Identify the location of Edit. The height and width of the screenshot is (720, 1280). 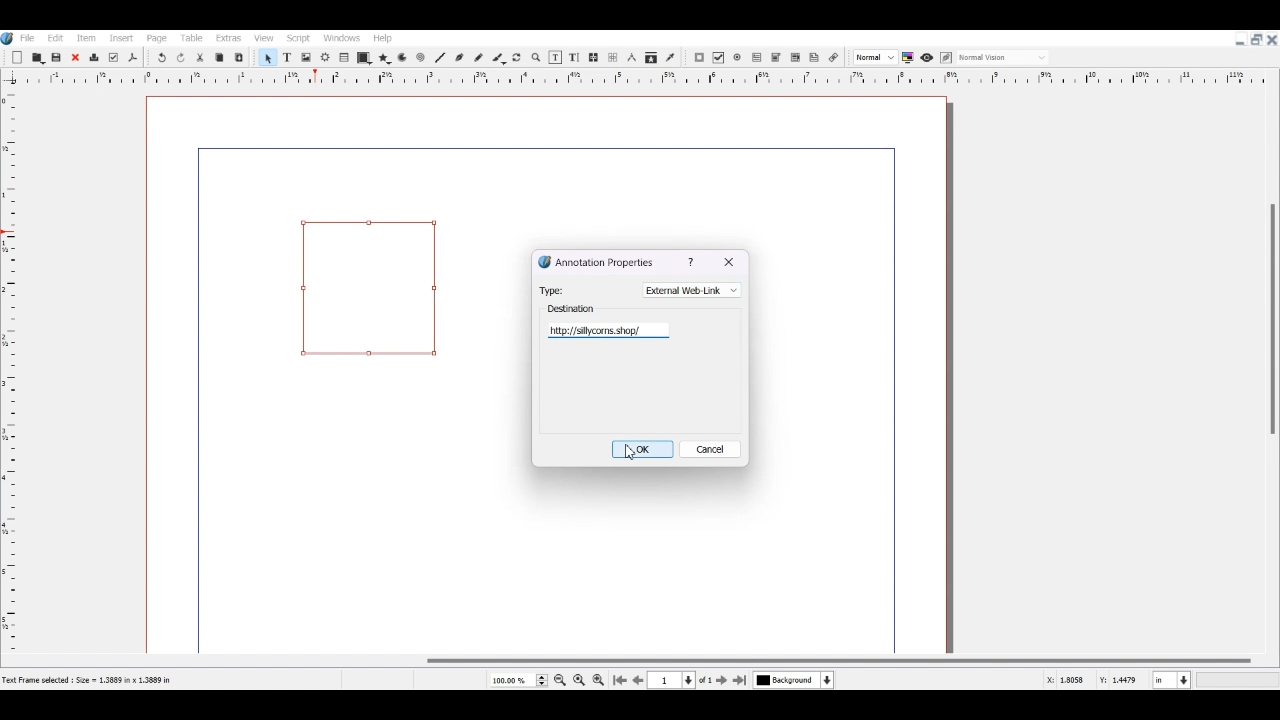
(54, 37).